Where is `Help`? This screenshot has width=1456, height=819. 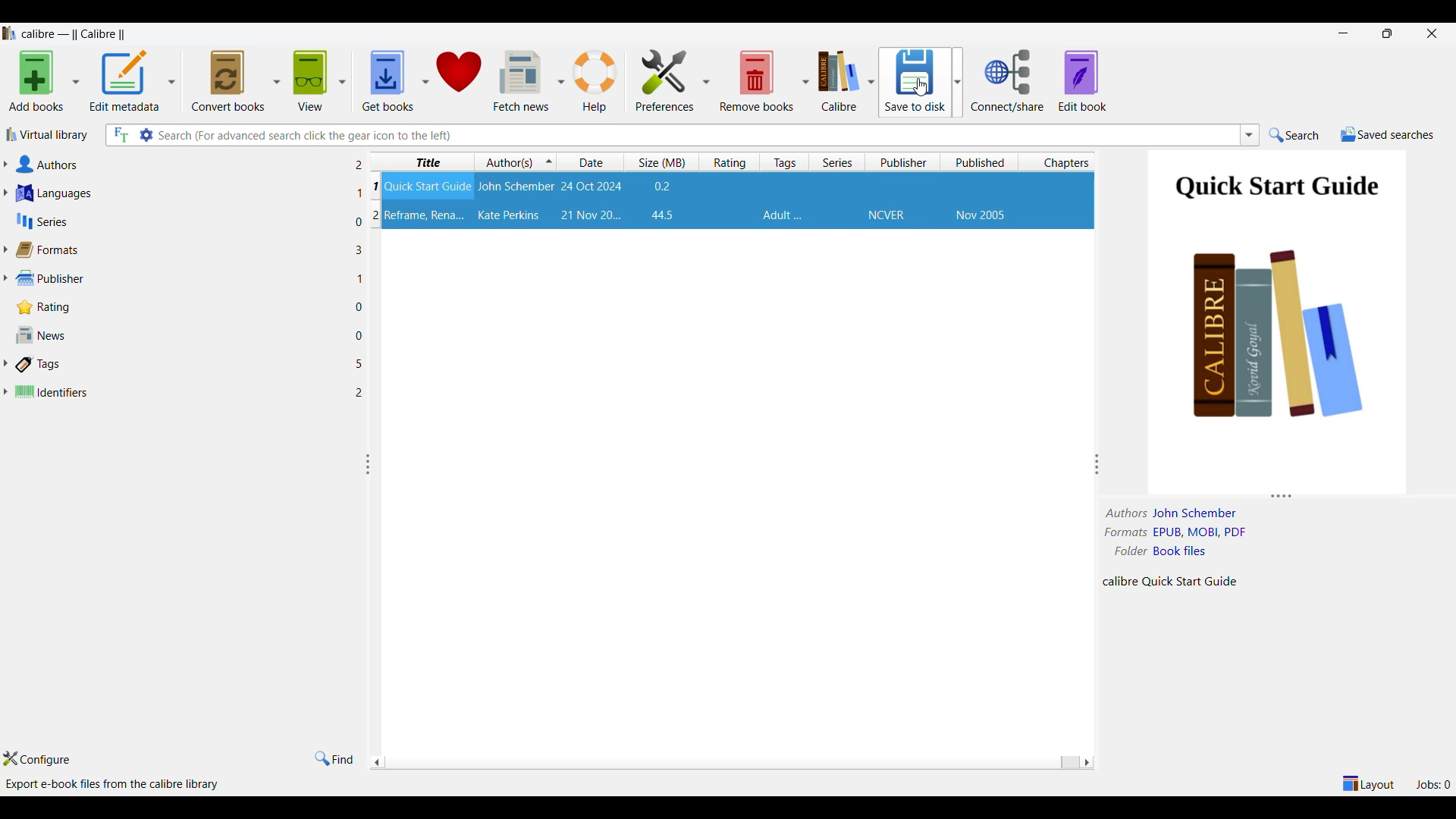
Help is located at coordinates (595, 82).